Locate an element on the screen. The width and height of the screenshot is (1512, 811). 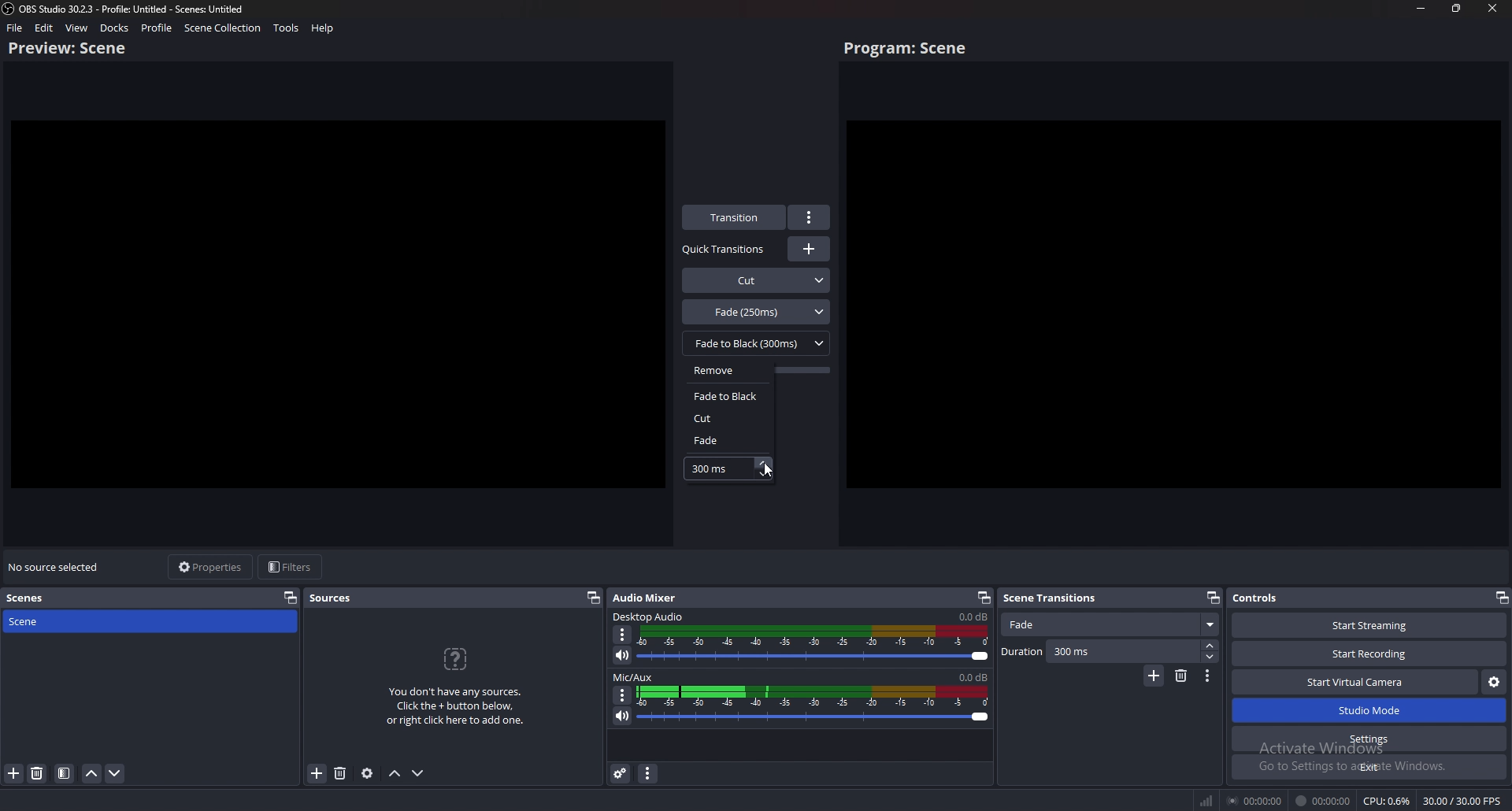
Pop out is located at coordinates (1213, 597).